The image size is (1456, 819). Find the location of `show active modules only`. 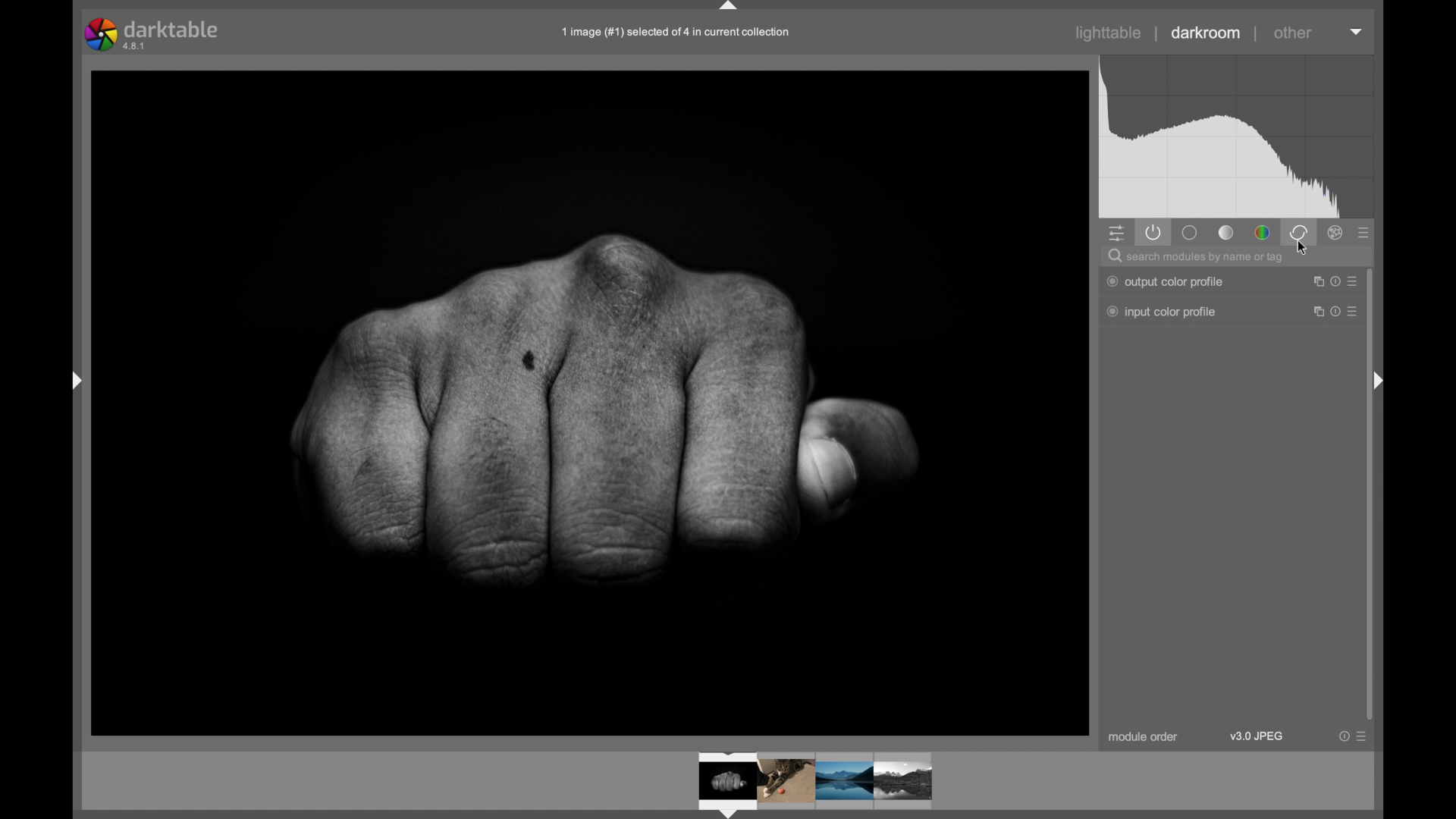

show active modules only is located at coordinates (1154, 232).